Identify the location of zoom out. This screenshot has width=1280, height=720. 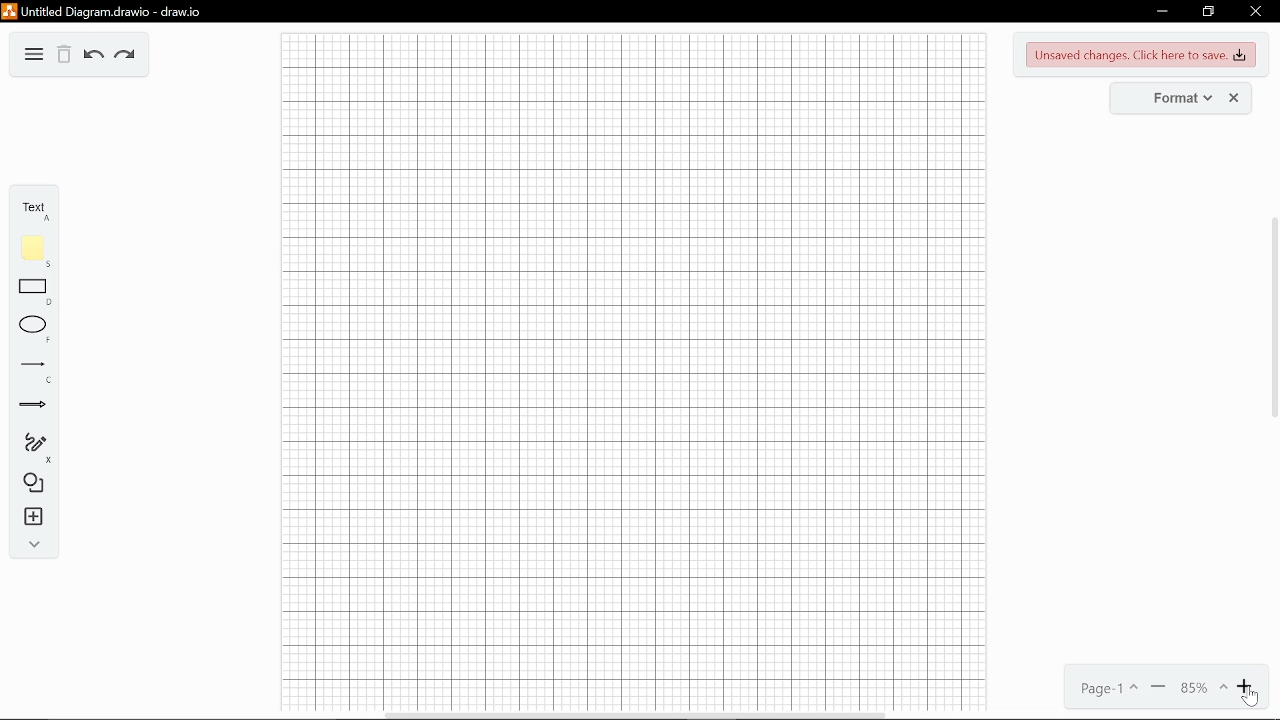
(1159, 686).